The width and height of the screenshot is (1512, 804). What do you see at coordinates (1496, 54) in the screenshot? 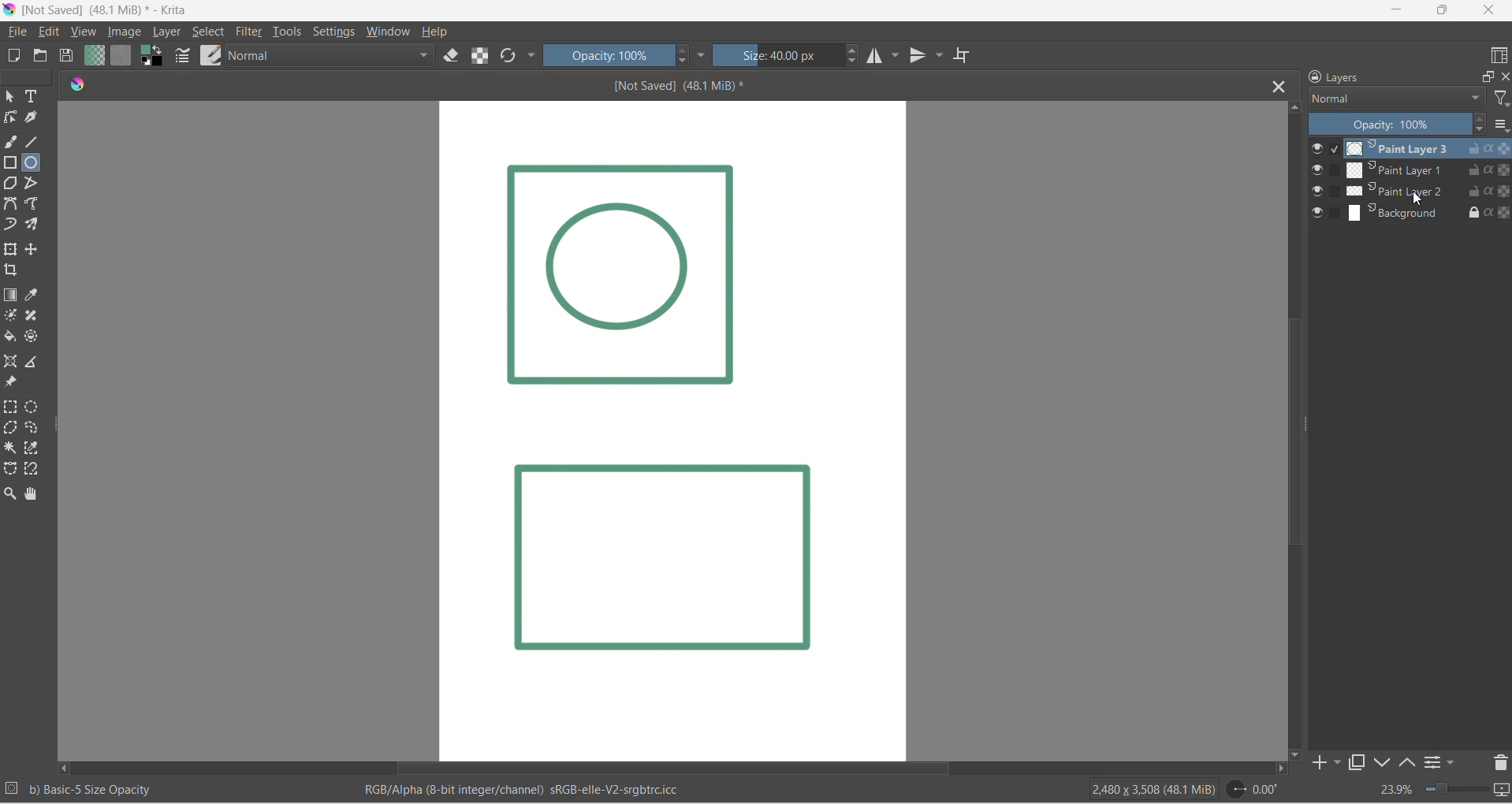
I see `display type` at bounding box center [1496, 54].